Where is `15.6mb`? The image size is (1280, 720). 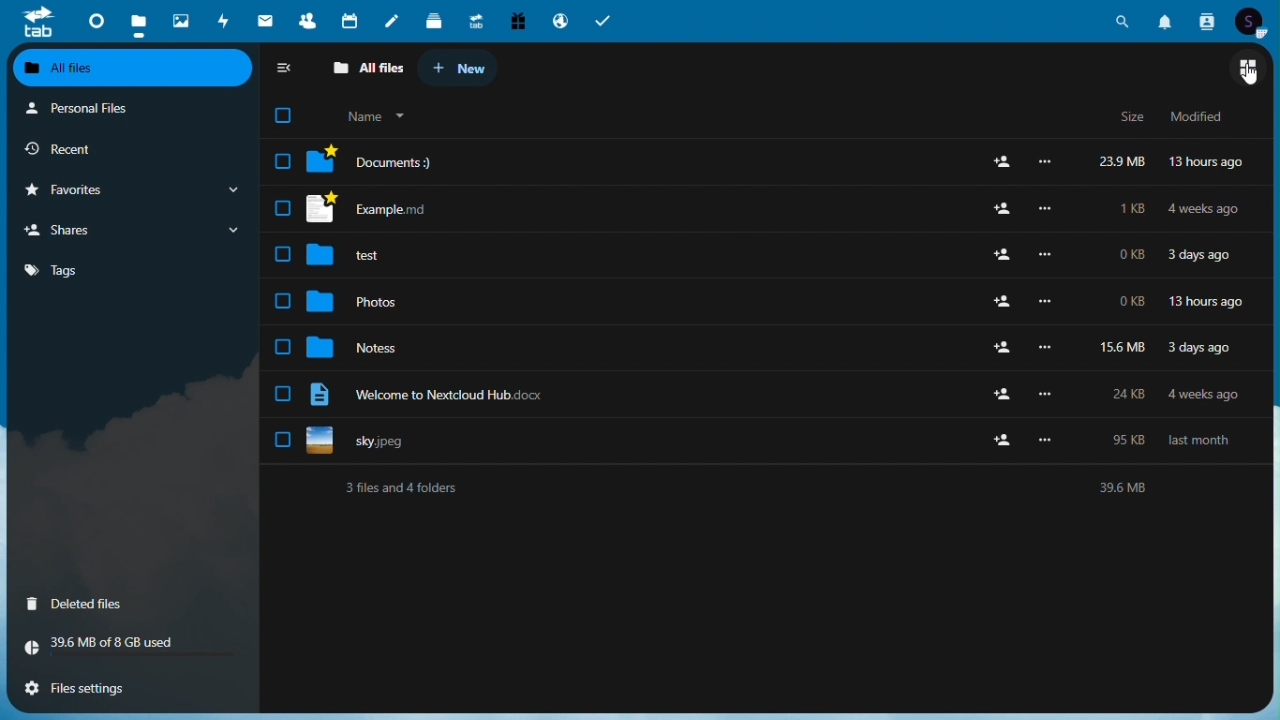 15.6mb is located at coordinates (1125, 345).